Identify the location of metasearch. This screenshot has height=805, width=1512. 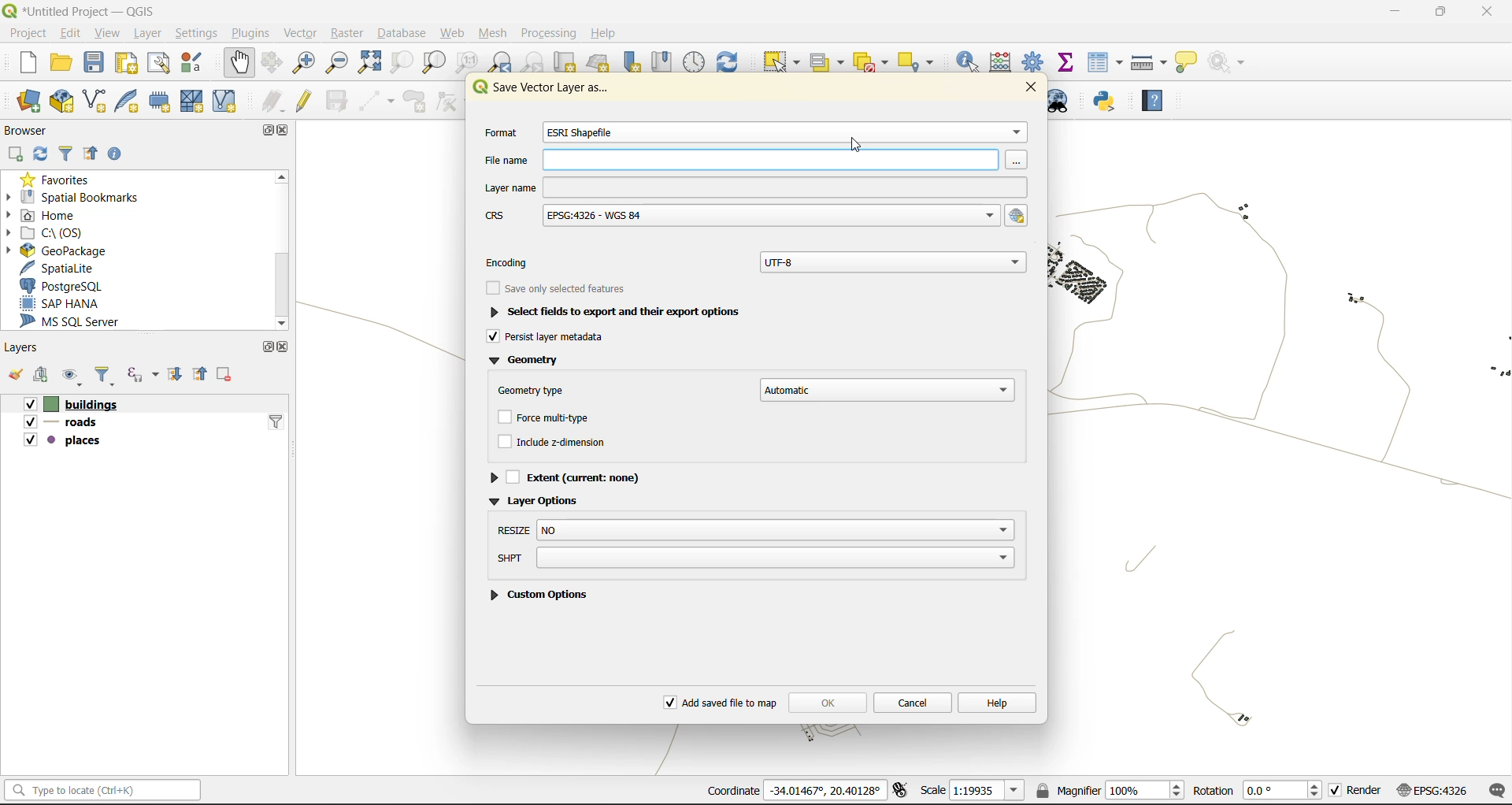
(1064, 102).